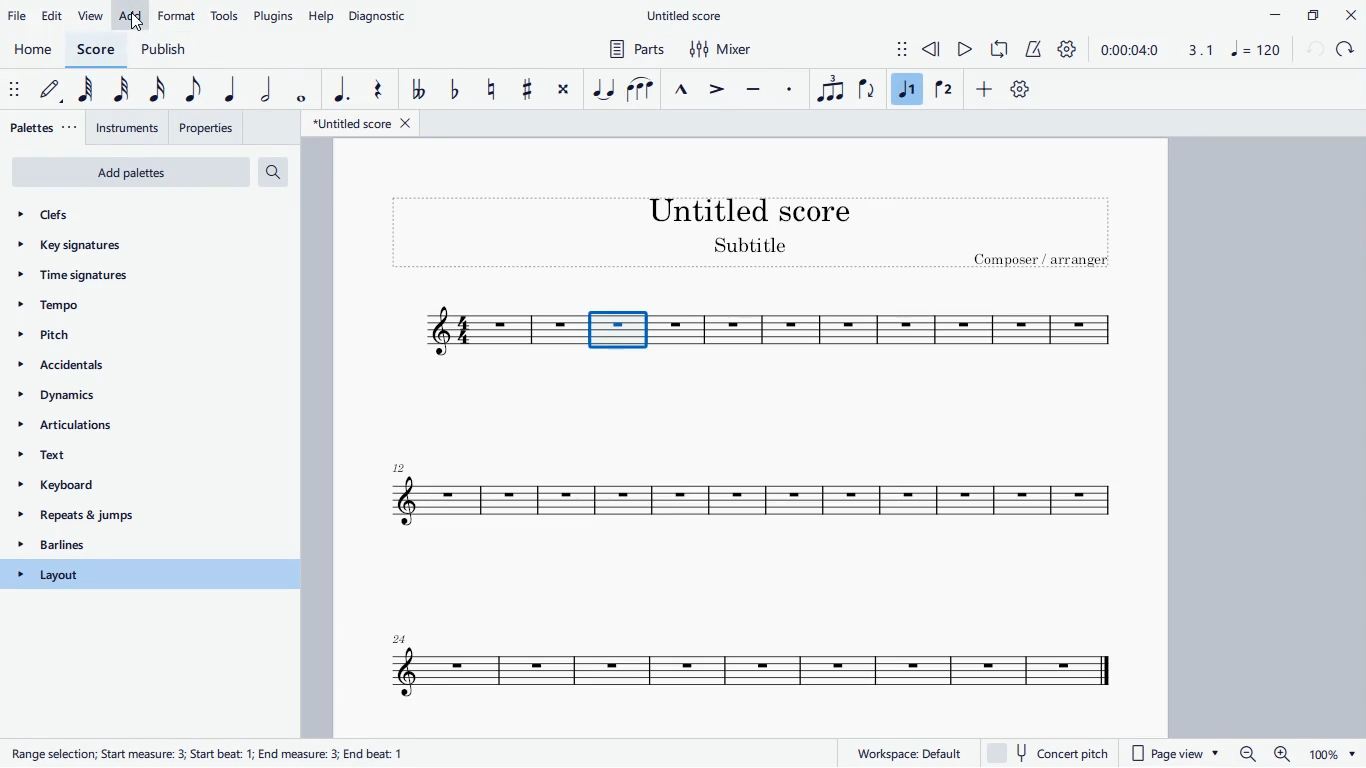  What do you see at coordinates (128, 517) in the screenshot?
I see `repeats & jumps` at bounding box center [128, 517].